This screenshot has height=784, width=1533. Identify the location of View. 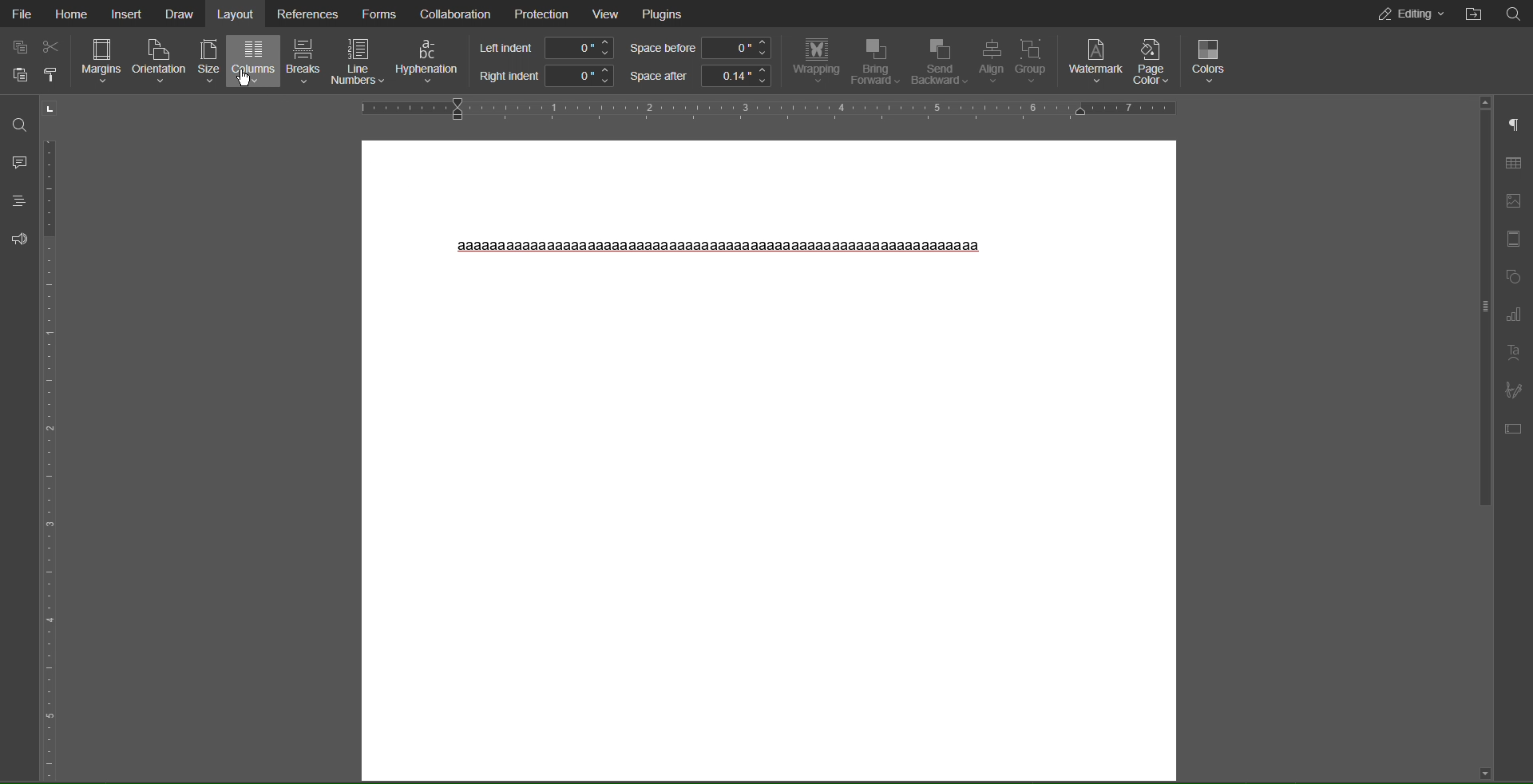
(607, 14).